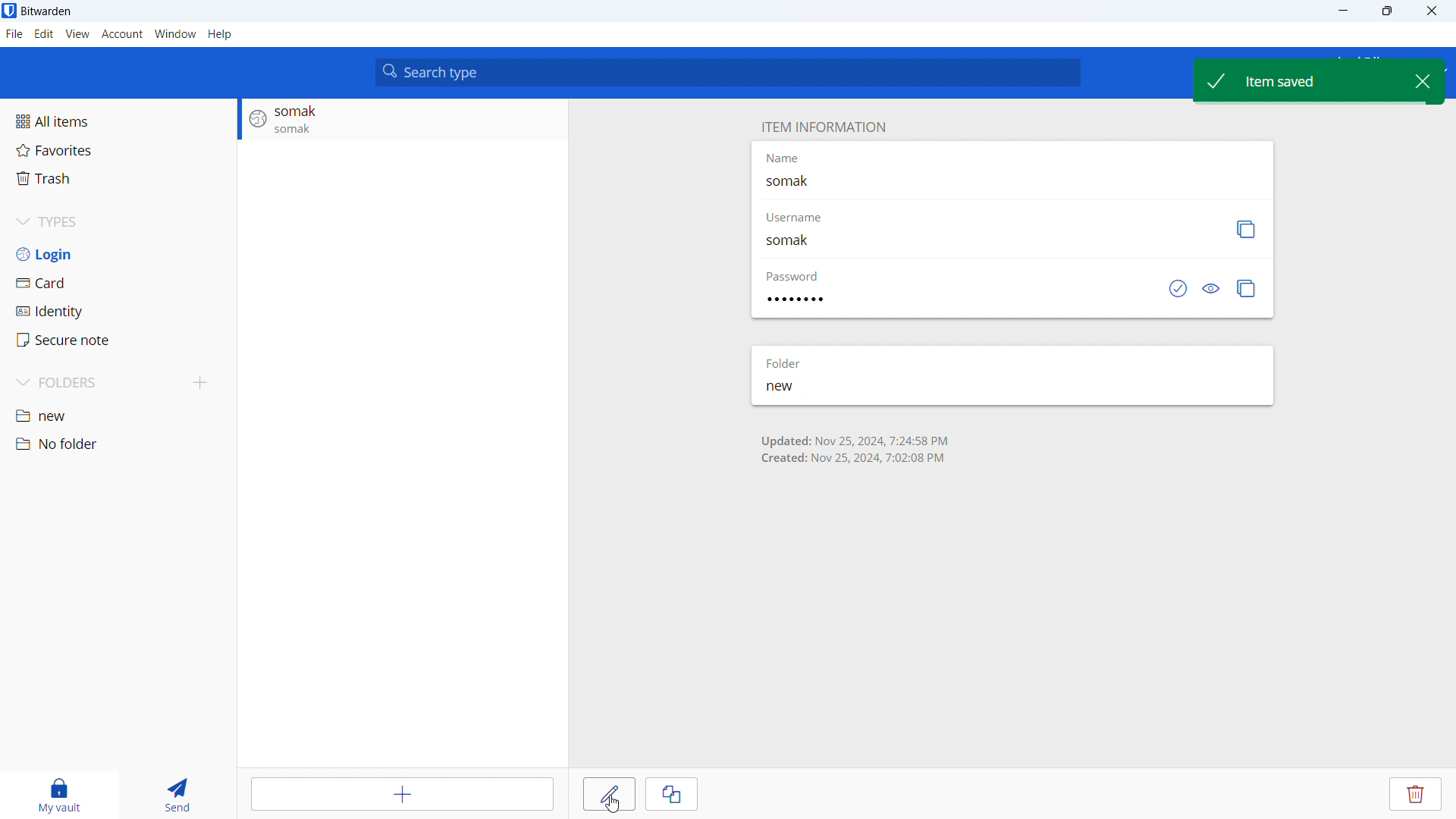 This screenshot has width=1456, height=819. Describe the element at coordinates (1247, 288) in the screenshot. I see `copy password` at that location.